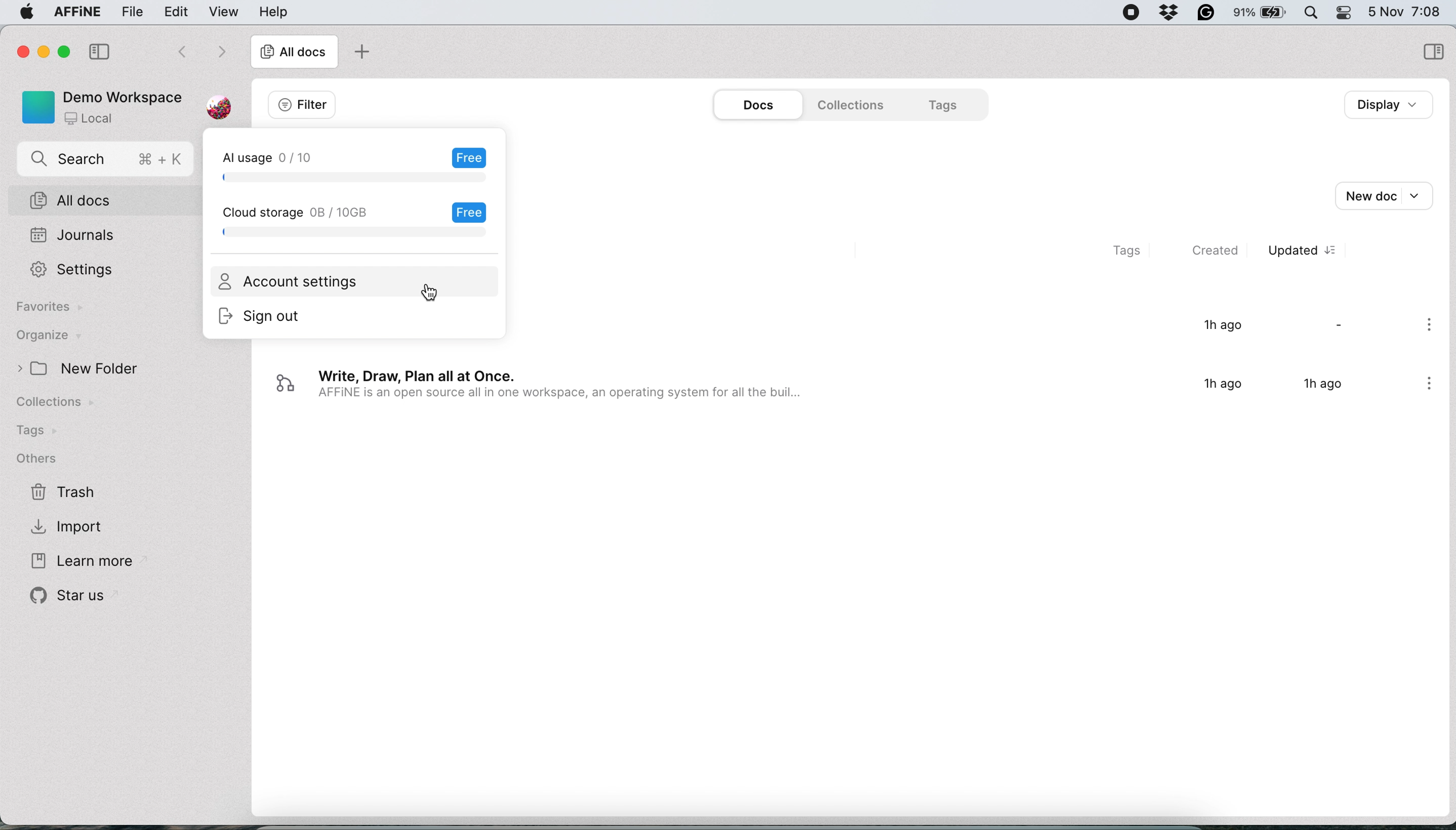 The height and width of the screenshot is (830, 1456). What do you see at coordinates (74, 234) in the screenshot?
I see `journals` at bounding box center [74, 234].